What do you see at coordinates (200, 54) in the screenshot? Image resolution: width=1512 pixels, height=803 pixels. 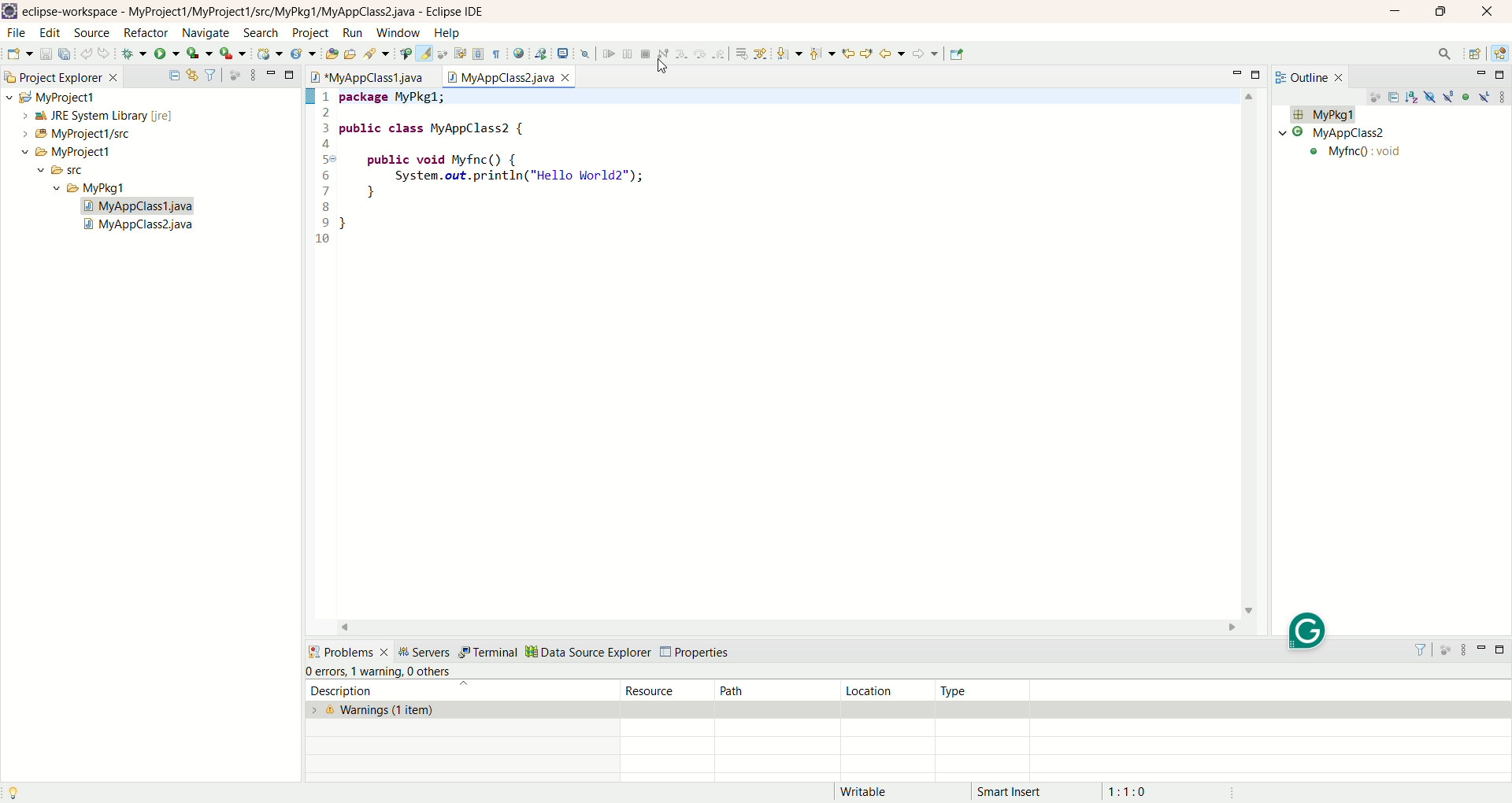 I see `coverage` at bounding box center [200, 54].